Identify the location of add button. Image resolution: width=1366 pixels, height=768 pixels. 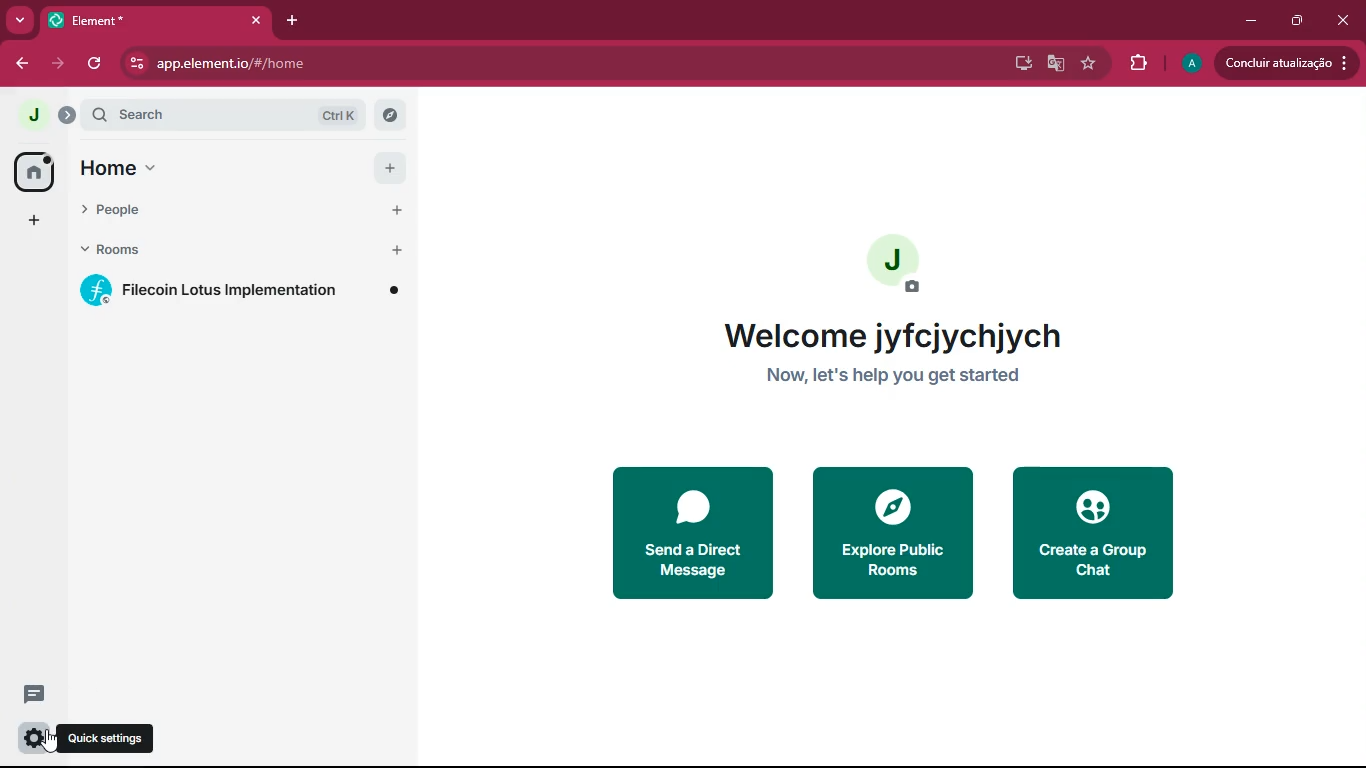
(389, 168).